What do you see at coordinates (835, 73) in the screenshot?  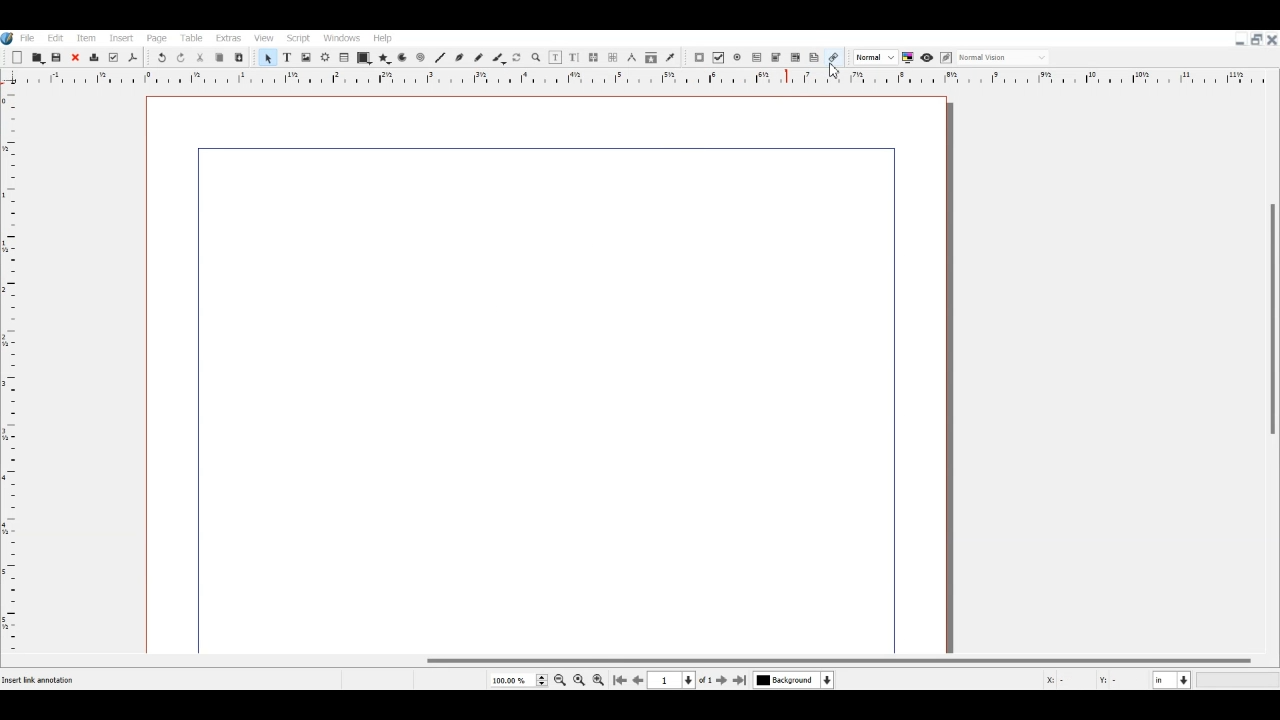 I see `cursor` at bounding box center [835, 73].